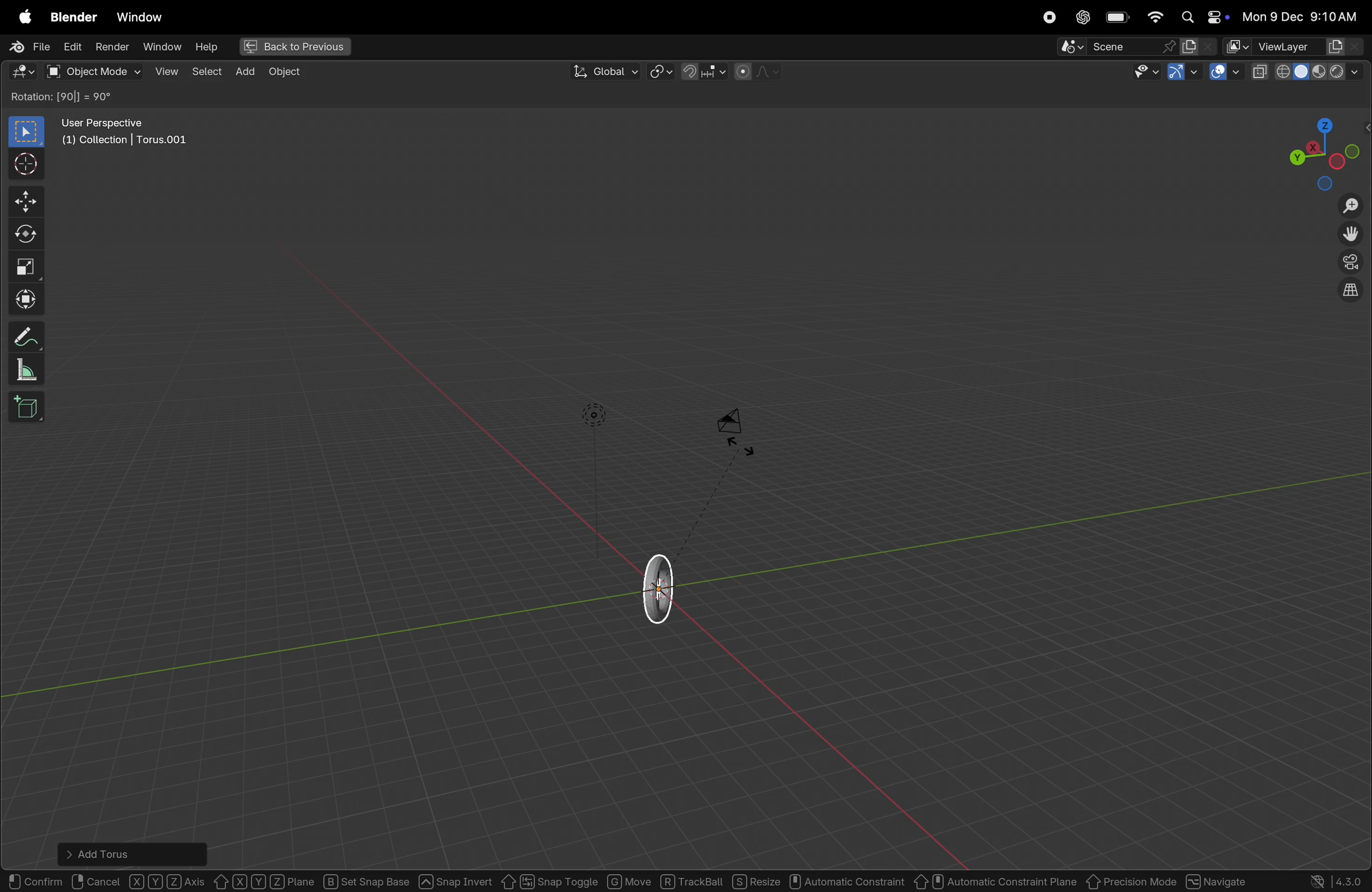 This screenshot has width=1372, height=892. Describe the element at coordinates (29, 300) in the screenshot. I see `transform` at that location.